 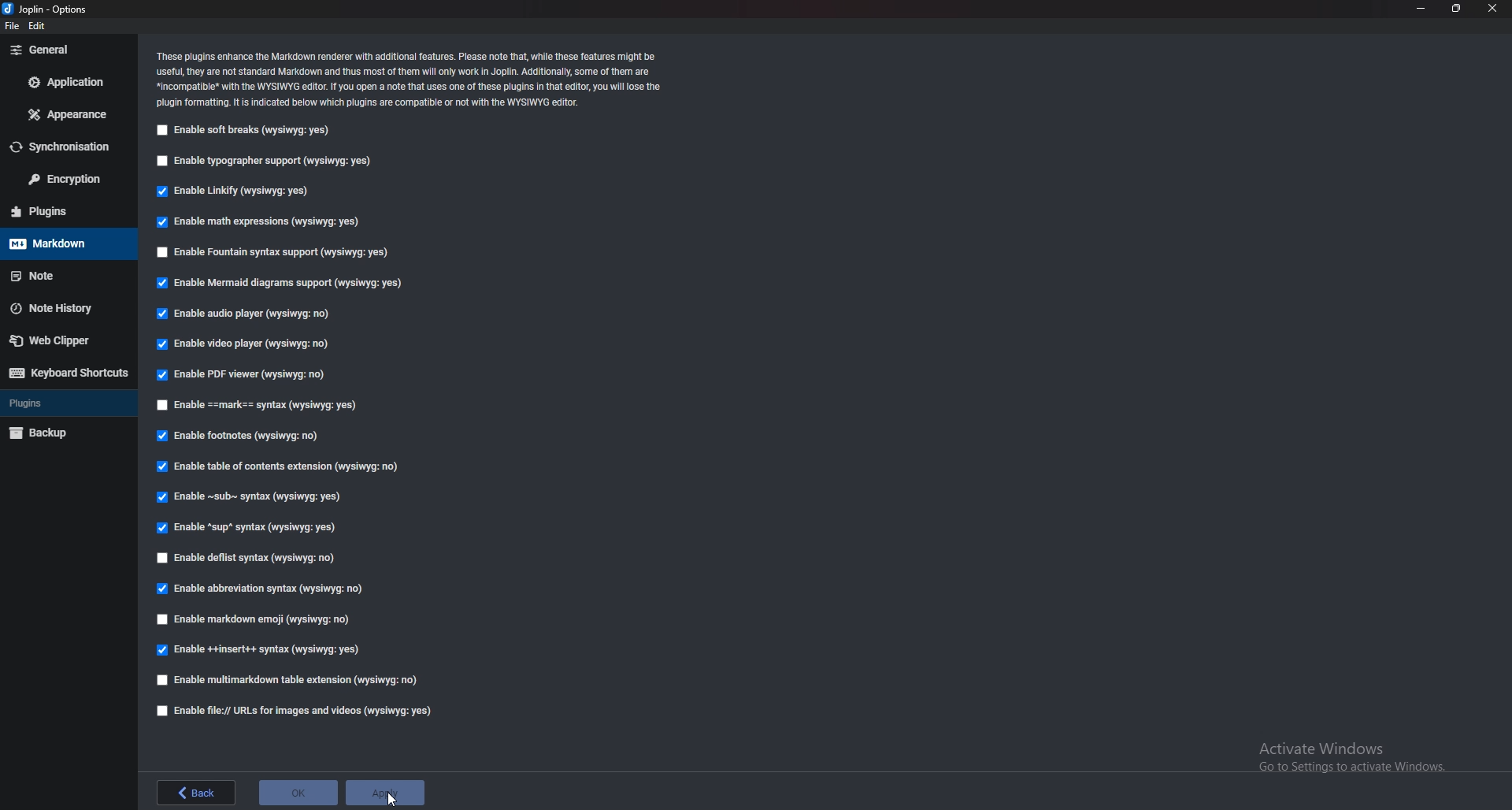 What do you see at coordinates (38, 25) in the screenshot?
I see `edit` at bounding box center [38, 25].